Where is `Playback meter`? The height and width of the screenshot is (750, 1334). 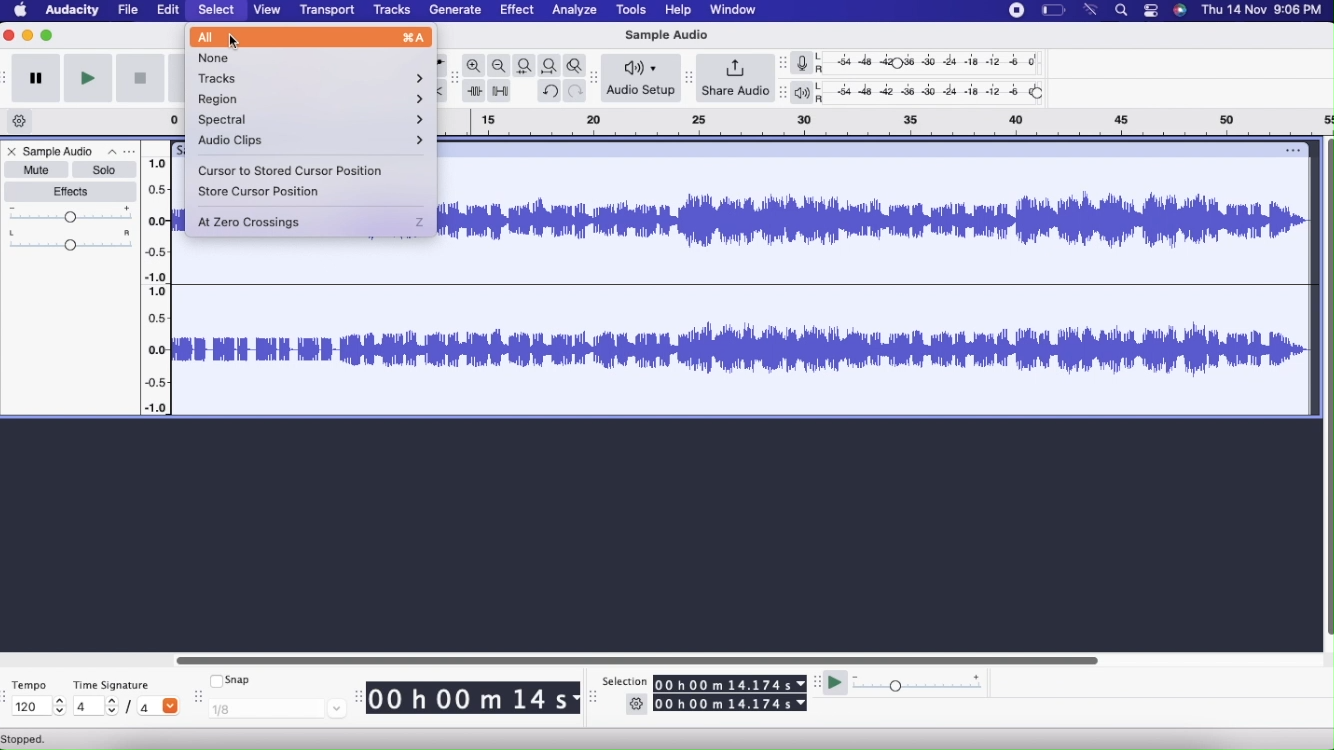 Playback meter is located at coordinates (806, 92).